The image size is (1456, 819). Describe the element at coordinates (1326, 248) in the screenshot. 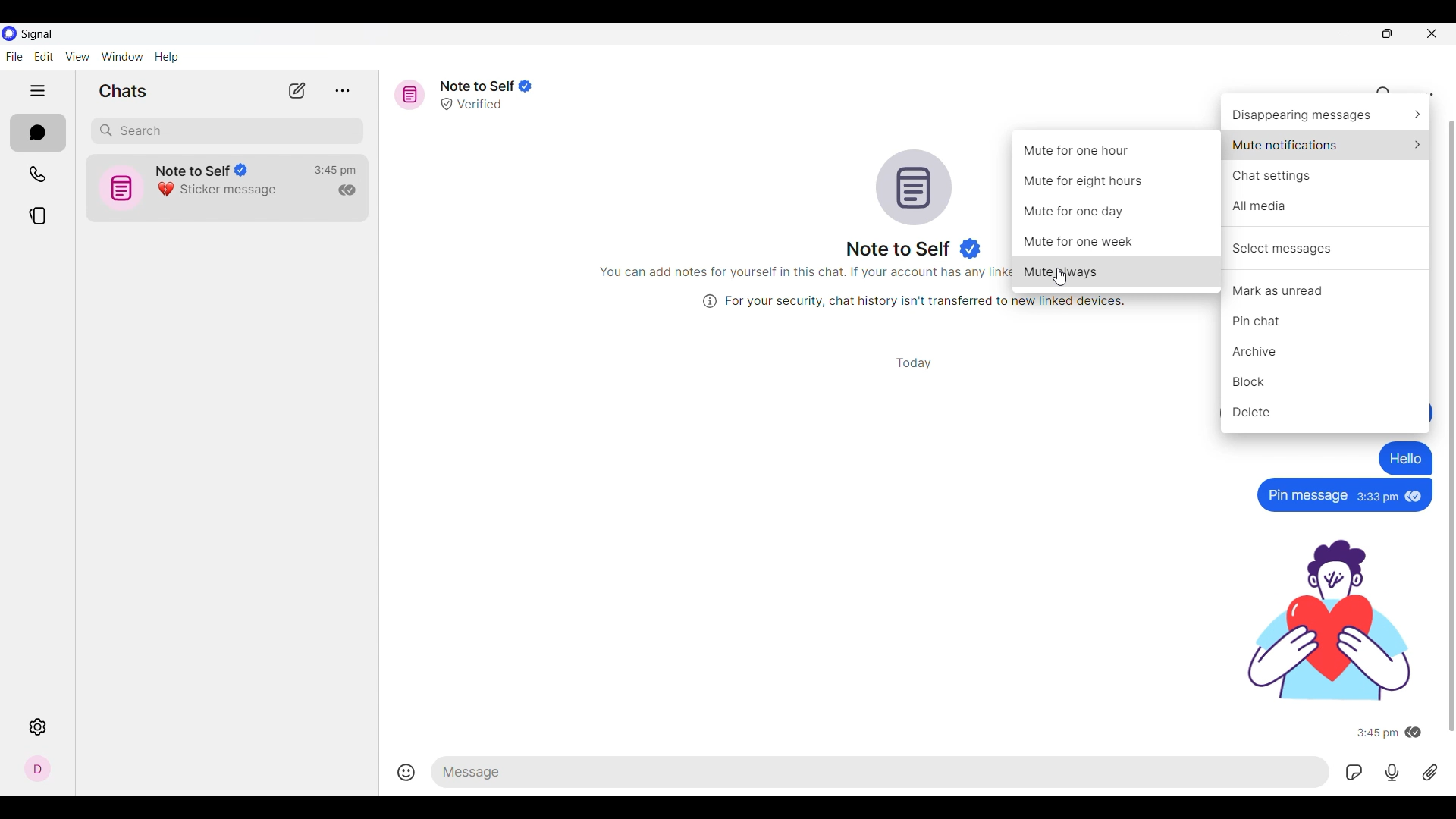

I see `Select messages` at that location.